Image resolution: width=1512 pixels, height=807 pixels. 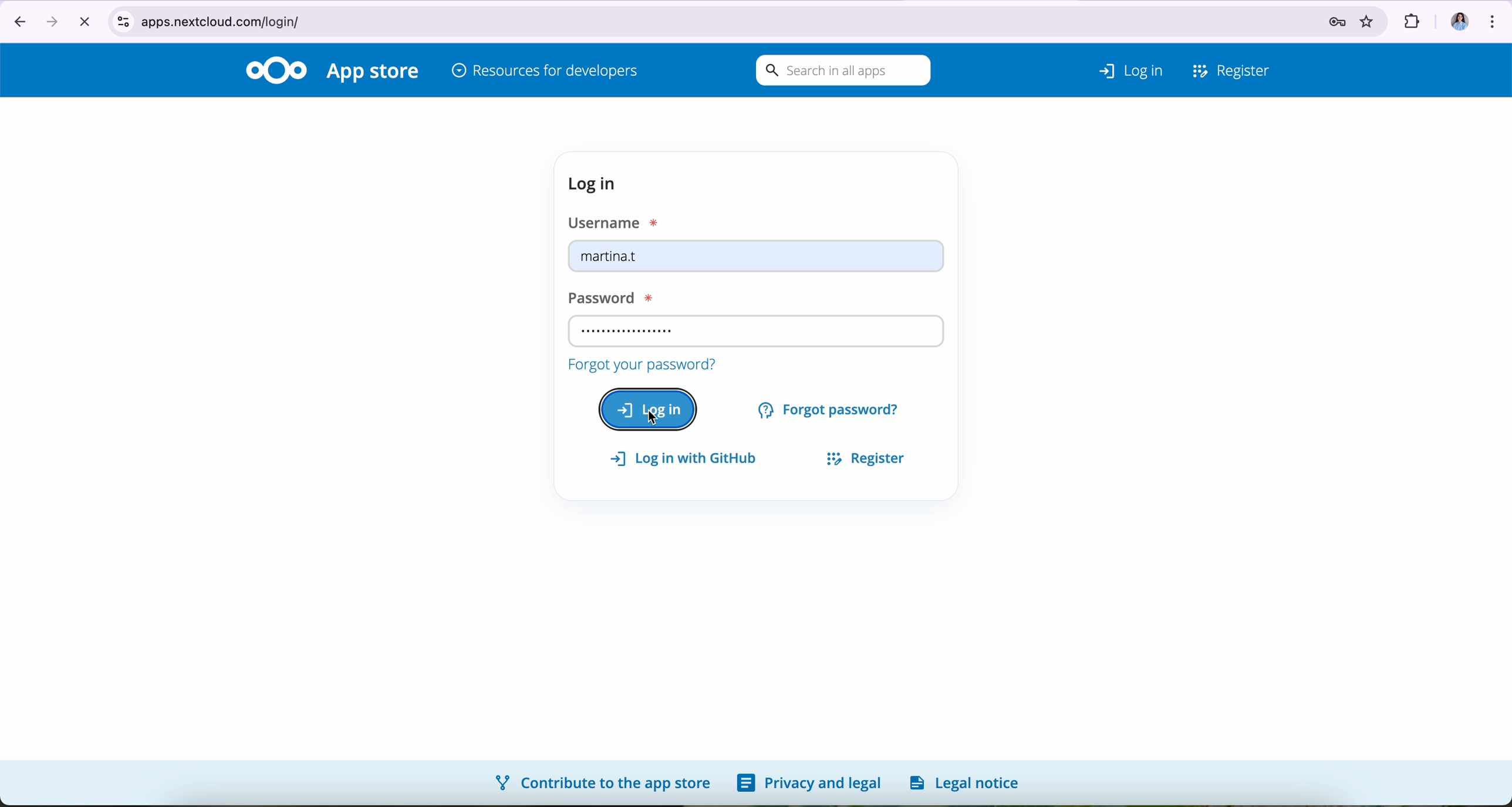 I want to click on profile, so click(x=1454, y=17).